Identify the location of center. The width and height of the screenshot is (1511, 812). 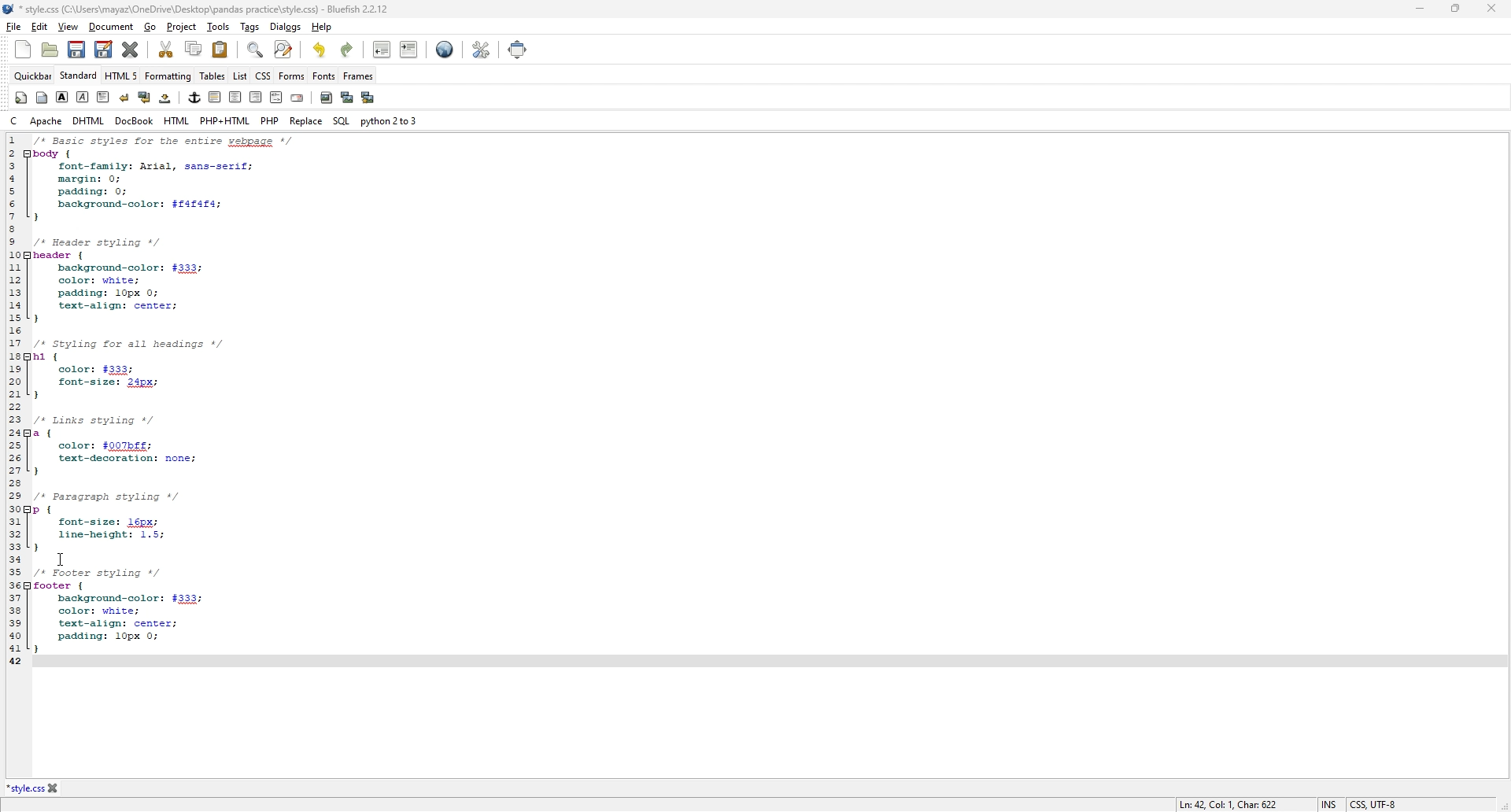
(235, 98).